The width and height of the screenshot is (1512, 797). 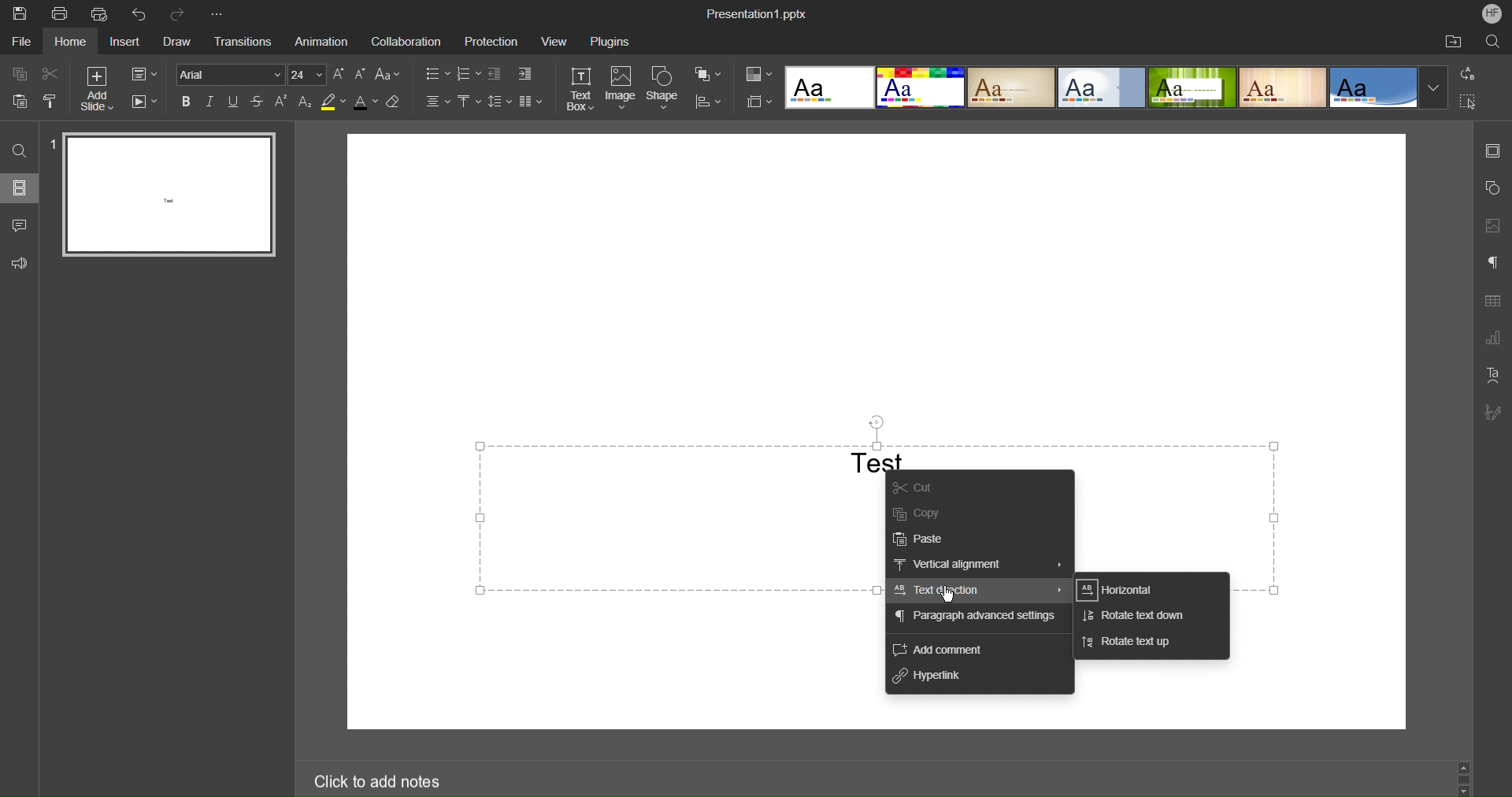 What do you see at coordinates (580, 88) in the screenshot?
I see `Text Box` at bounding box center [580, 88].